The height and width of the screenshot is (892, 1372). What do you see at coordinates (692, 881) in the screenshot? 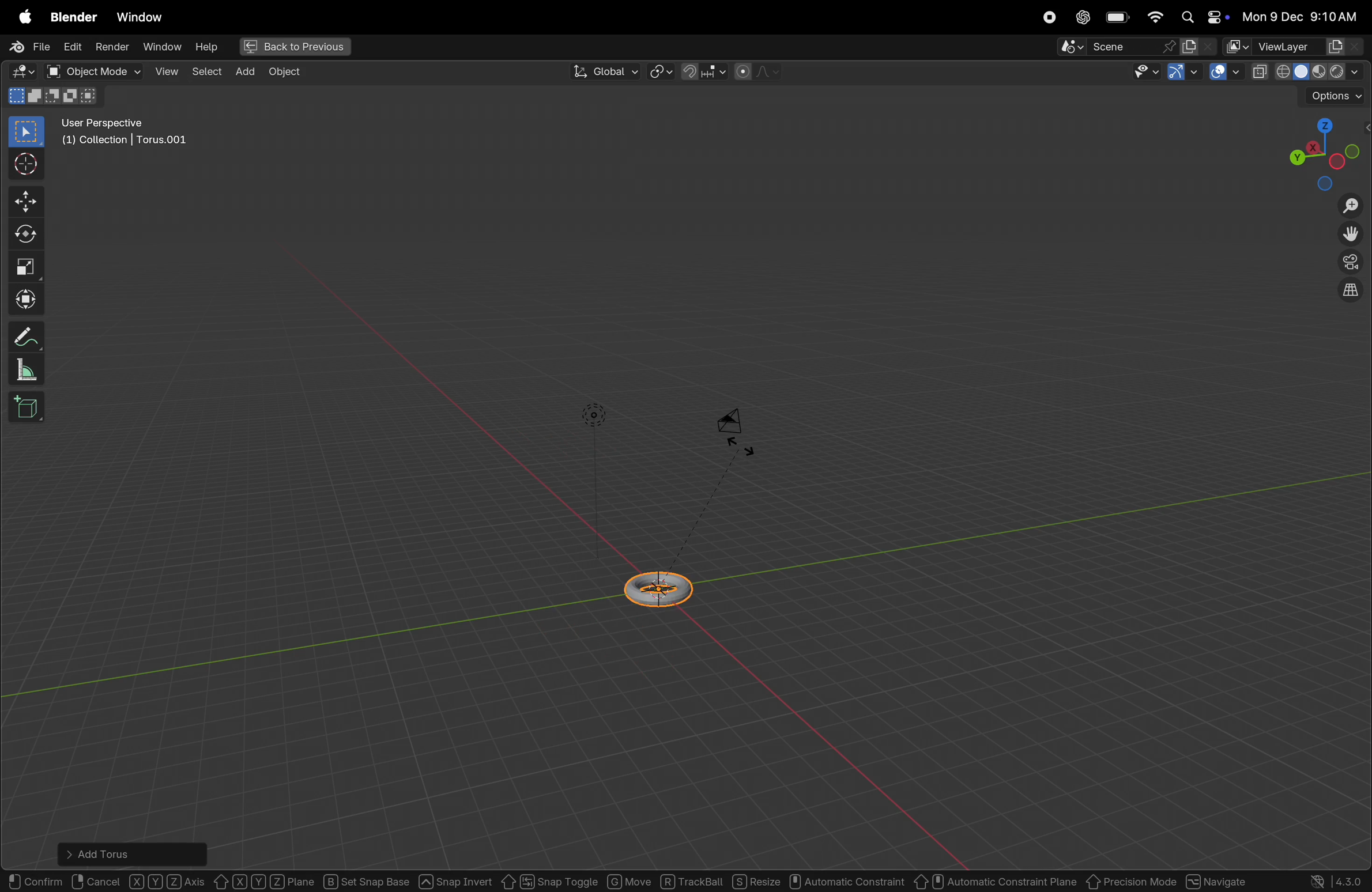
I see `trackball` at bounding box center [692, 881].